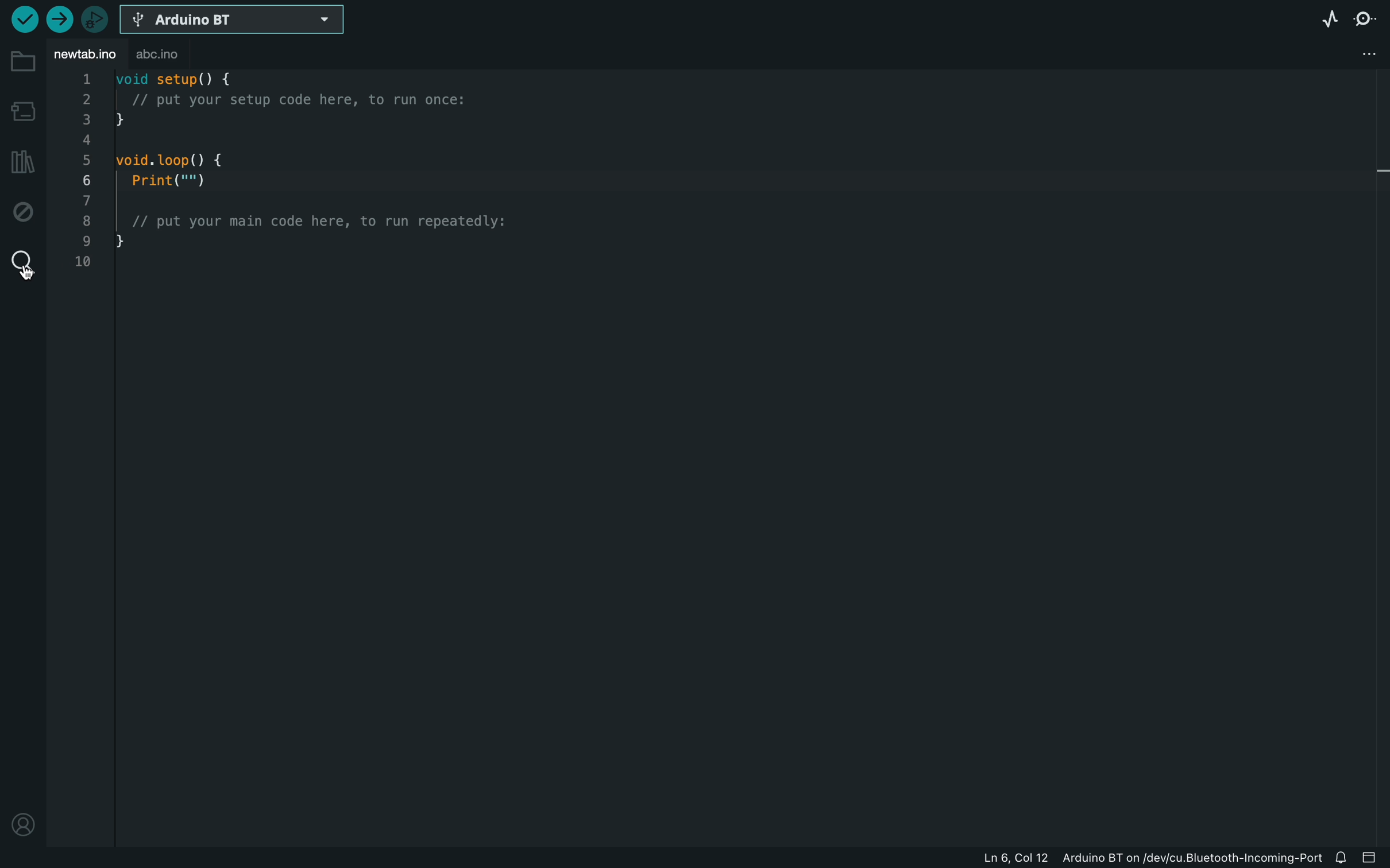 The width and height of the screenshot is (1390, 868). Describe the element at coordinates (23, 818) in the screenshot. I see `profile` at that location.